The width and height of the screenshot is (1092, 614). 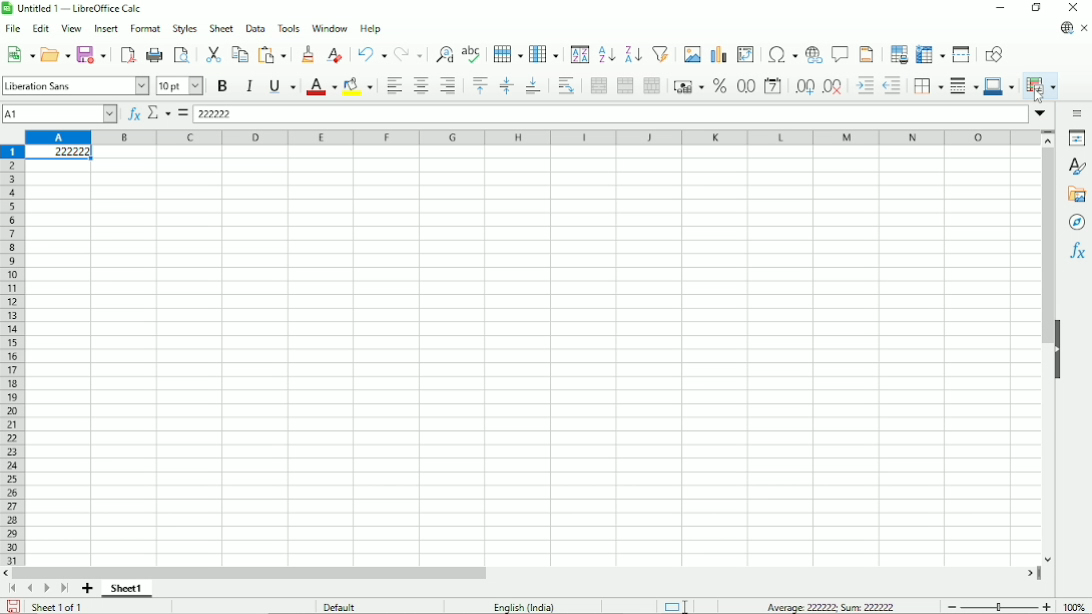 What do you see at coordinates (451, 86) in the screenshot?
I see `Align right` at bounding box center [451, 86].